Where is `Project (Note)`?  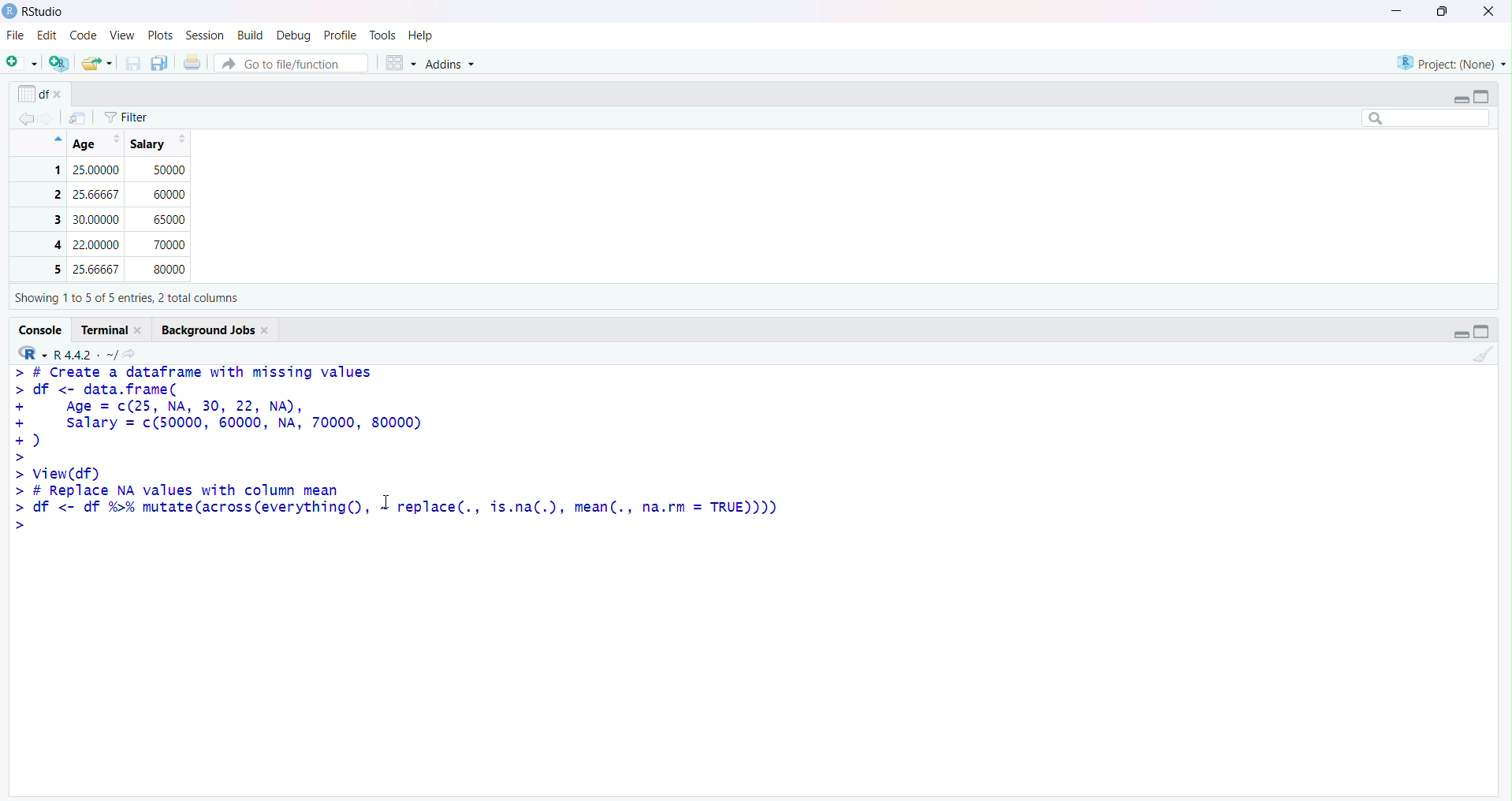 Project (Note) is located at coordinates (1451, 64).